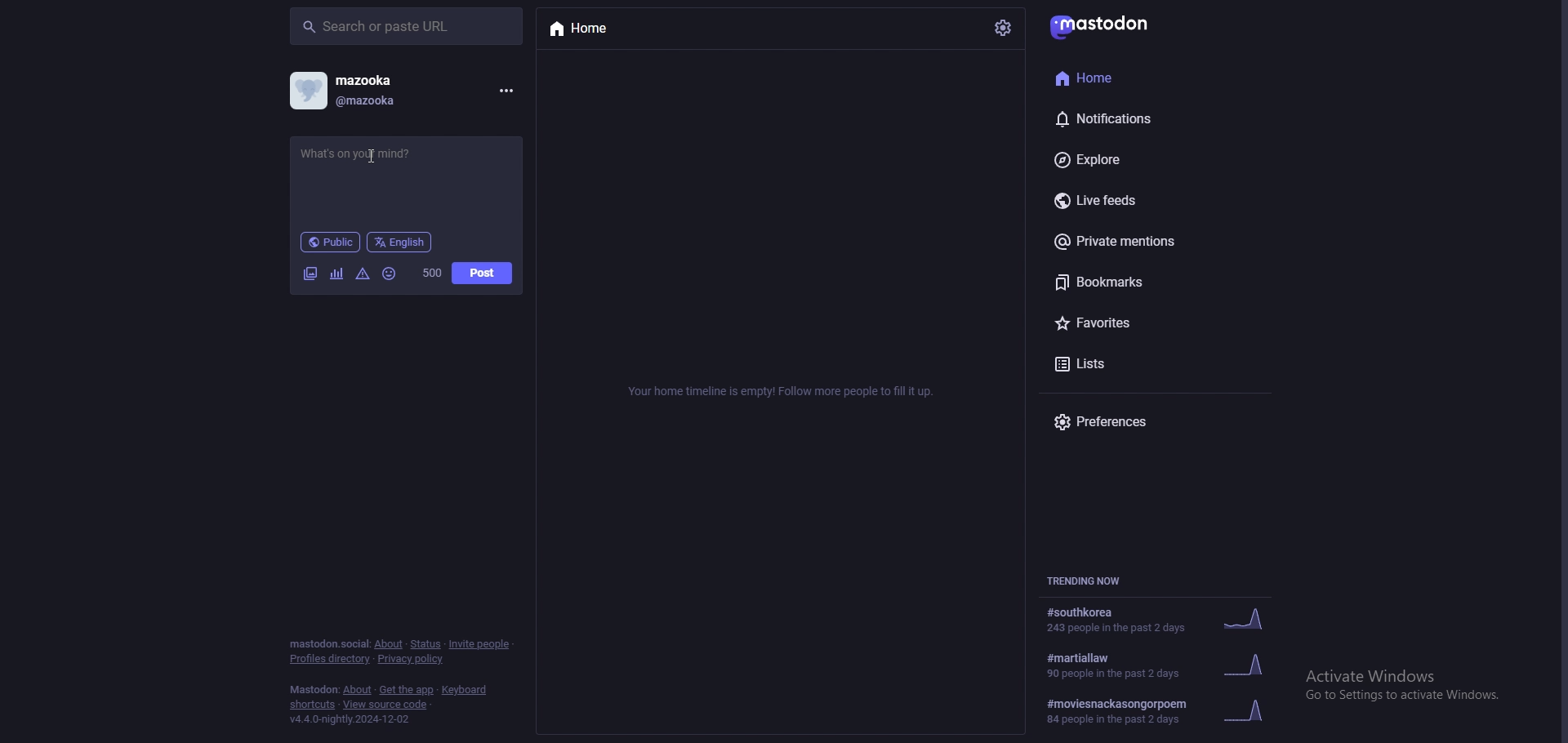 This screenshot has width=1568, height=743. Describe the element at coordinates (1001, 29) in the screenshot. I see `settings` at that location.